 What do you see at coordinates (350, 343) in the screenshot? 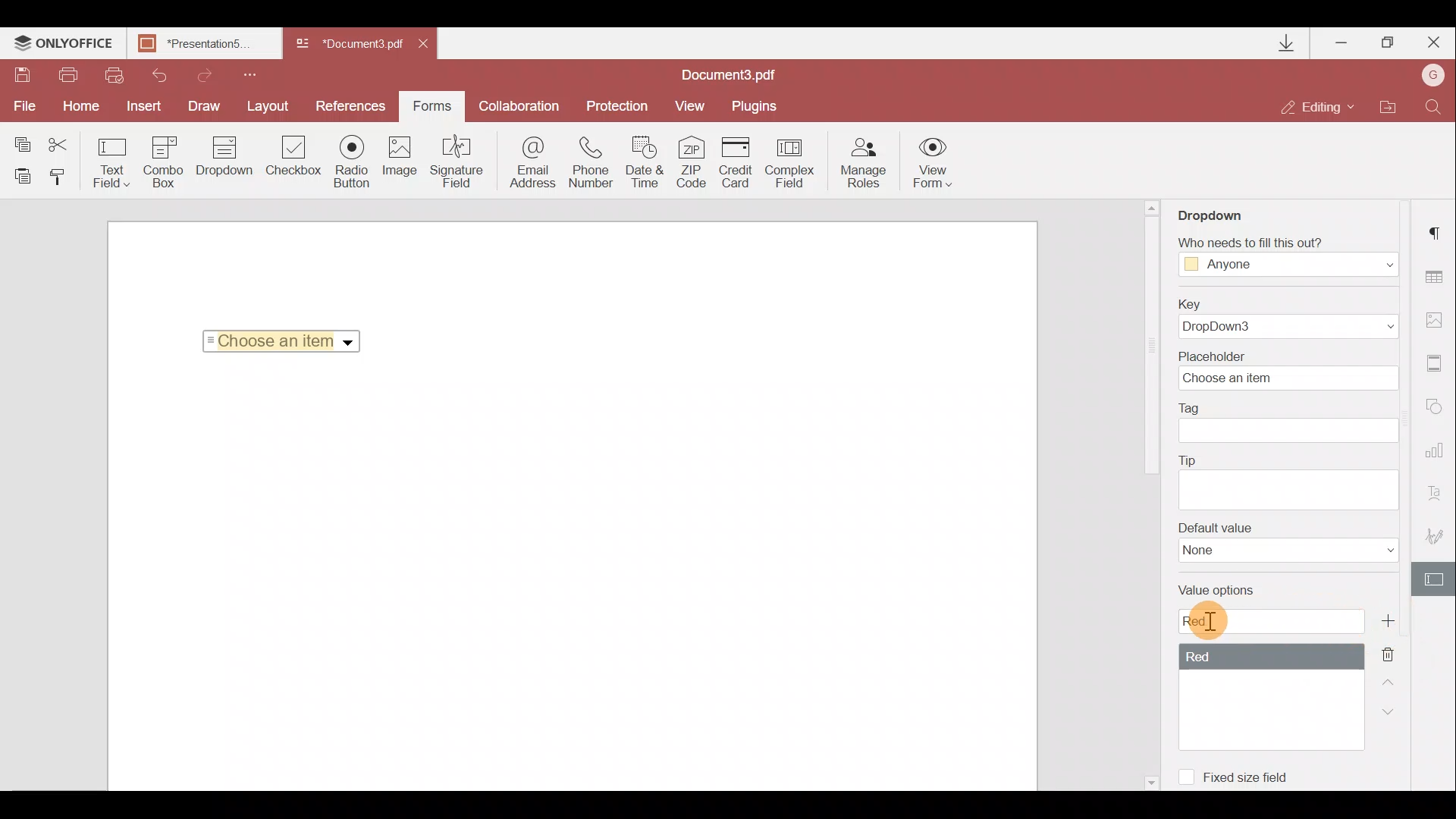
I see `Dropdown` at bounding box center [350, 343].